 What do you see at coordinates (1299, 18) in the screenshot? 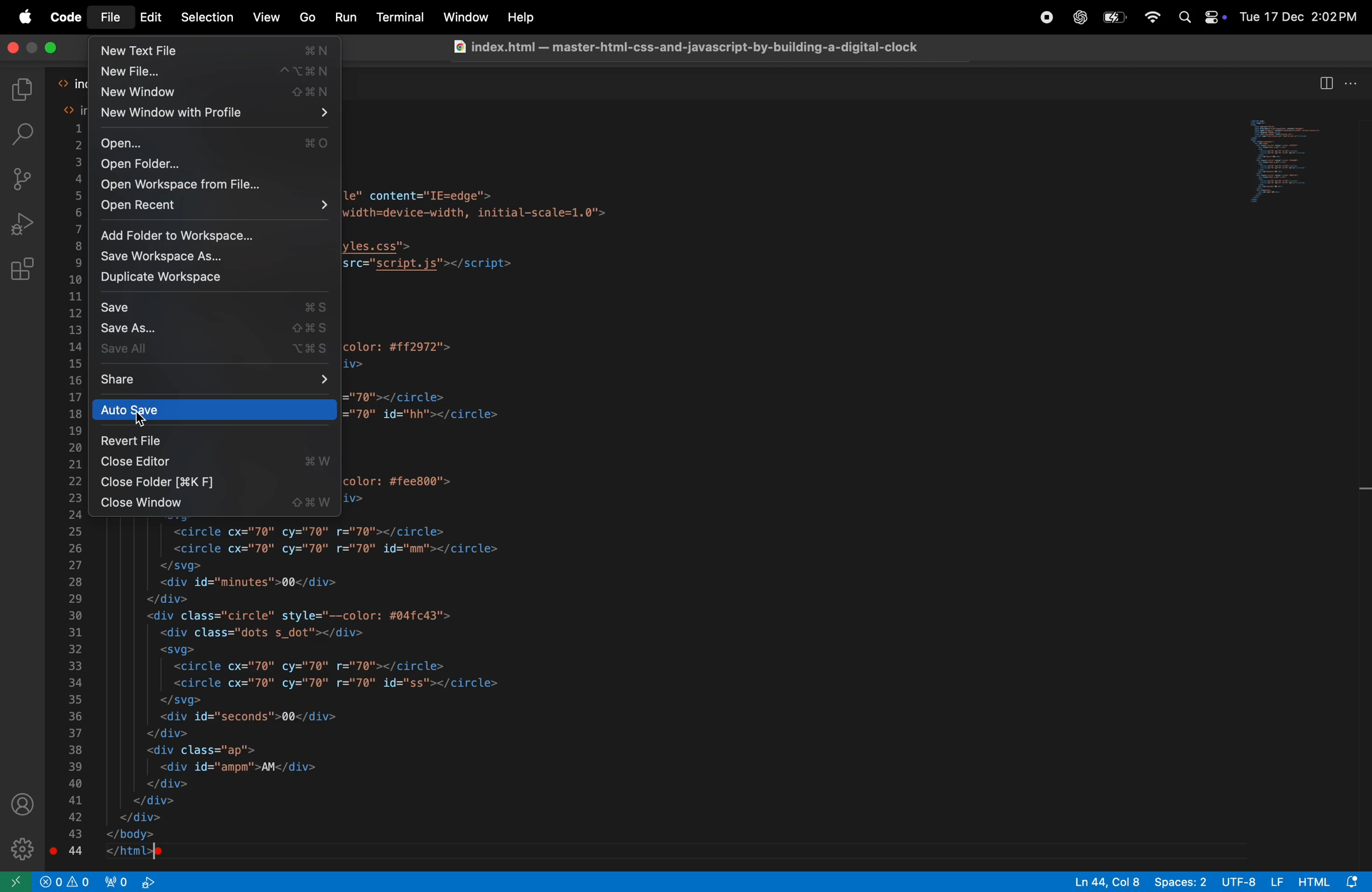
I see `Tue 17 Dec 2:02PM` at bounding box center [1299, 18].